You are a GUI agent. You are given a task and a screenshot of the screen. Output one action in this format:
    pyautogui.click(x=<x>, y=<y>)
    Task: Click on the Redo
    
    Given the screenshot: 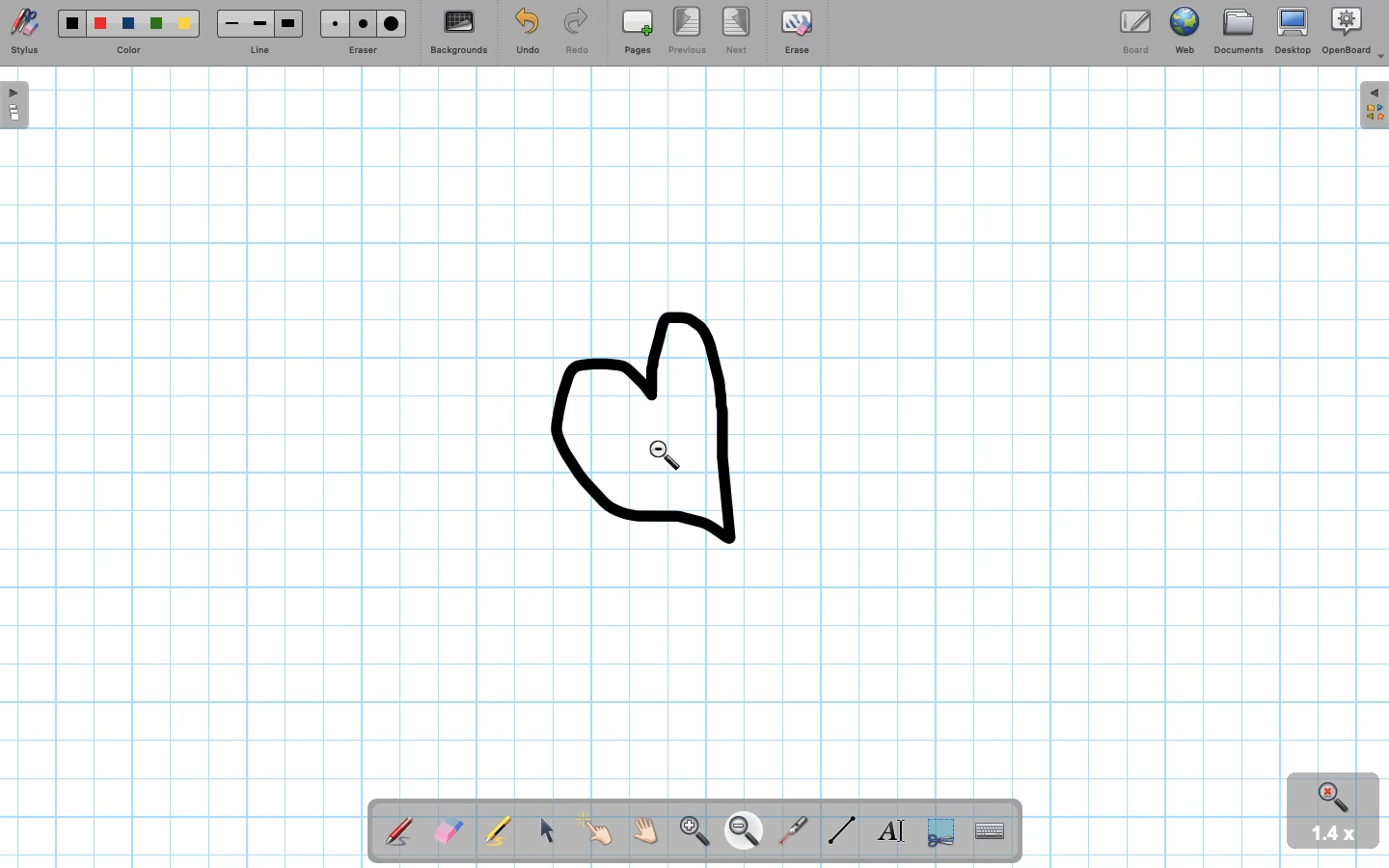 What is the action you would take?
    pyautogui.click(x=574, y=33)
    